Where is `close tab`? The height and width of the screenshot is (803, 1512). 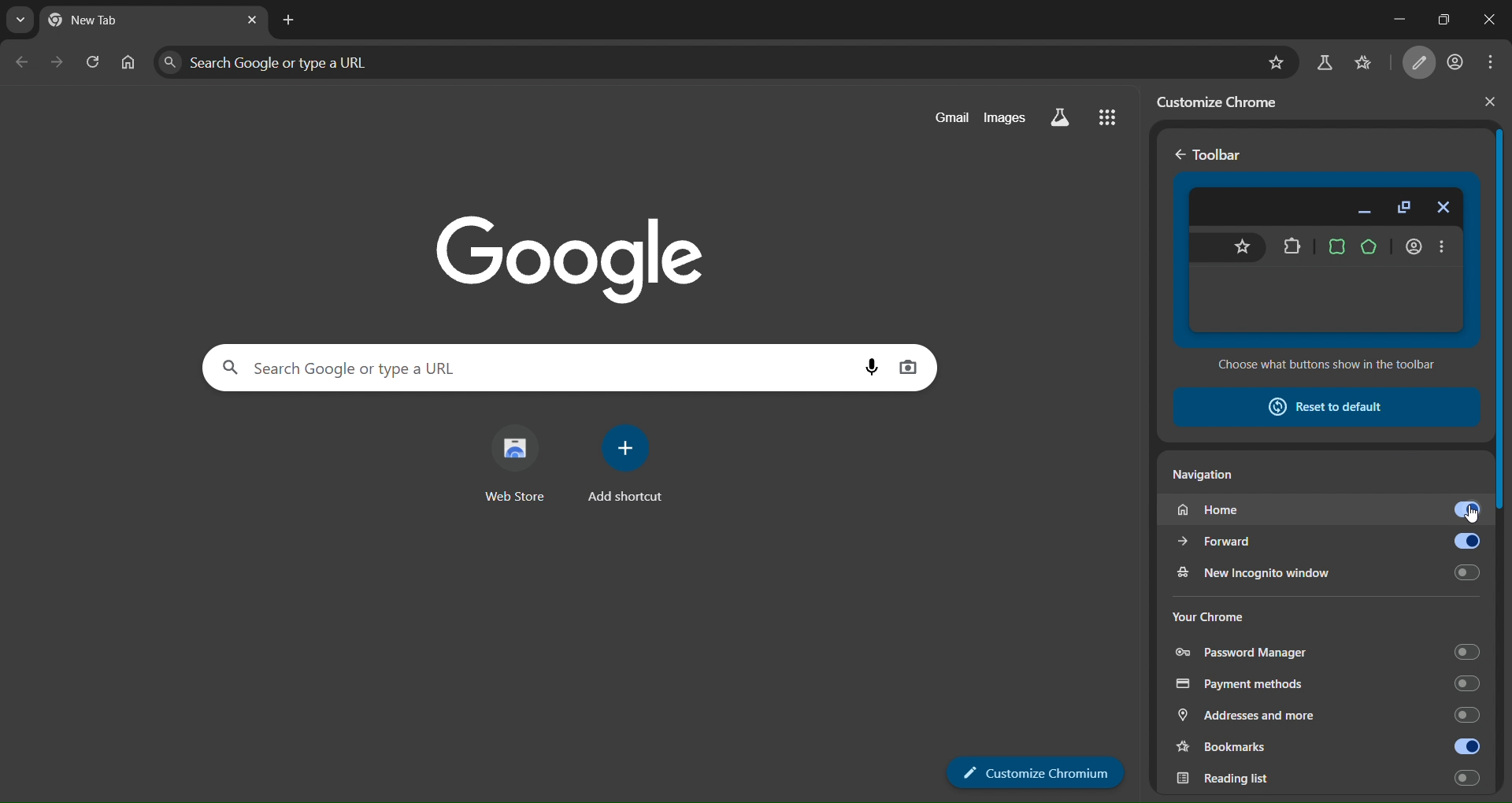
close tab is located at coordinates (254, 20).